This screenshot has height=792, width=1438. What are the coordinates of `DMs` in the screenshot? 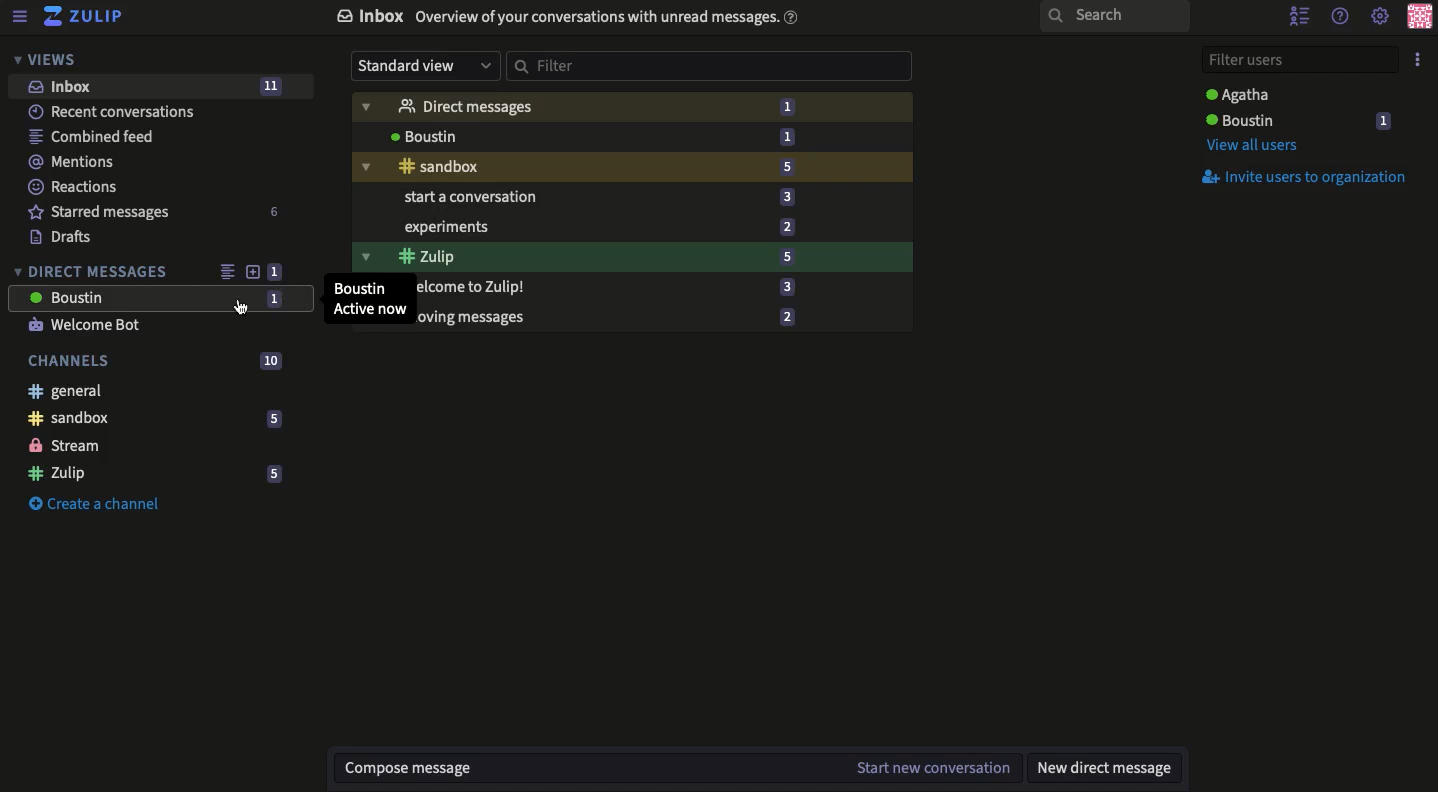 It's located at (92, 269).